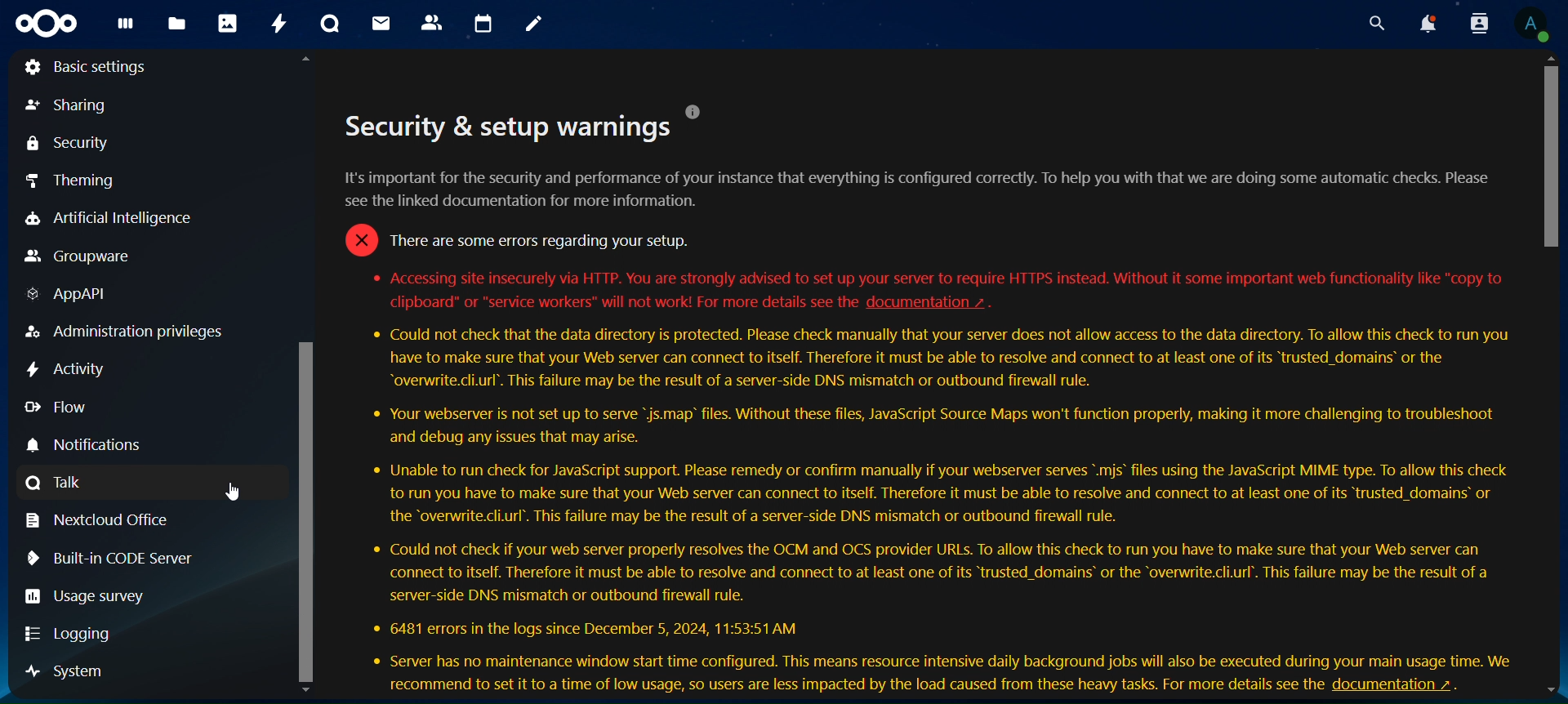 This screenshot has height=704, width=1568. What do you see at coordinates (177, 21) in the screenshot?
I see `files` at bounding box center [177, 21].